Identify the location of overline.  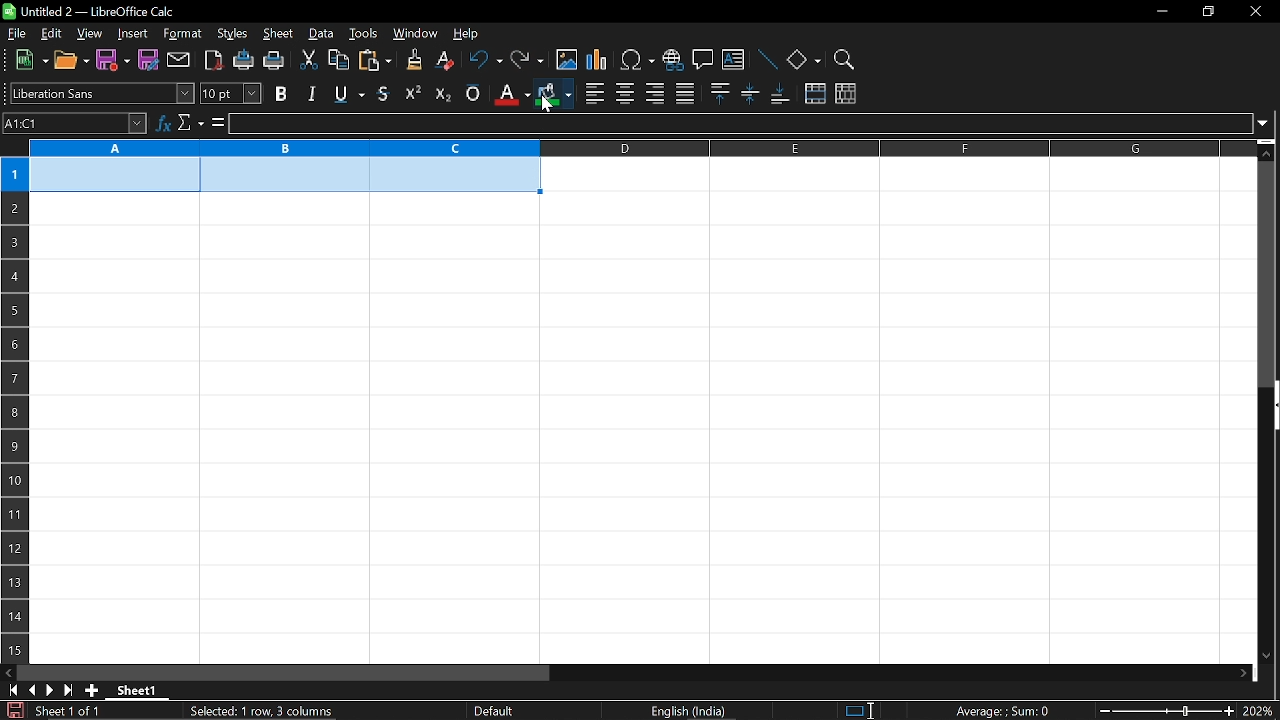
(473, 94).